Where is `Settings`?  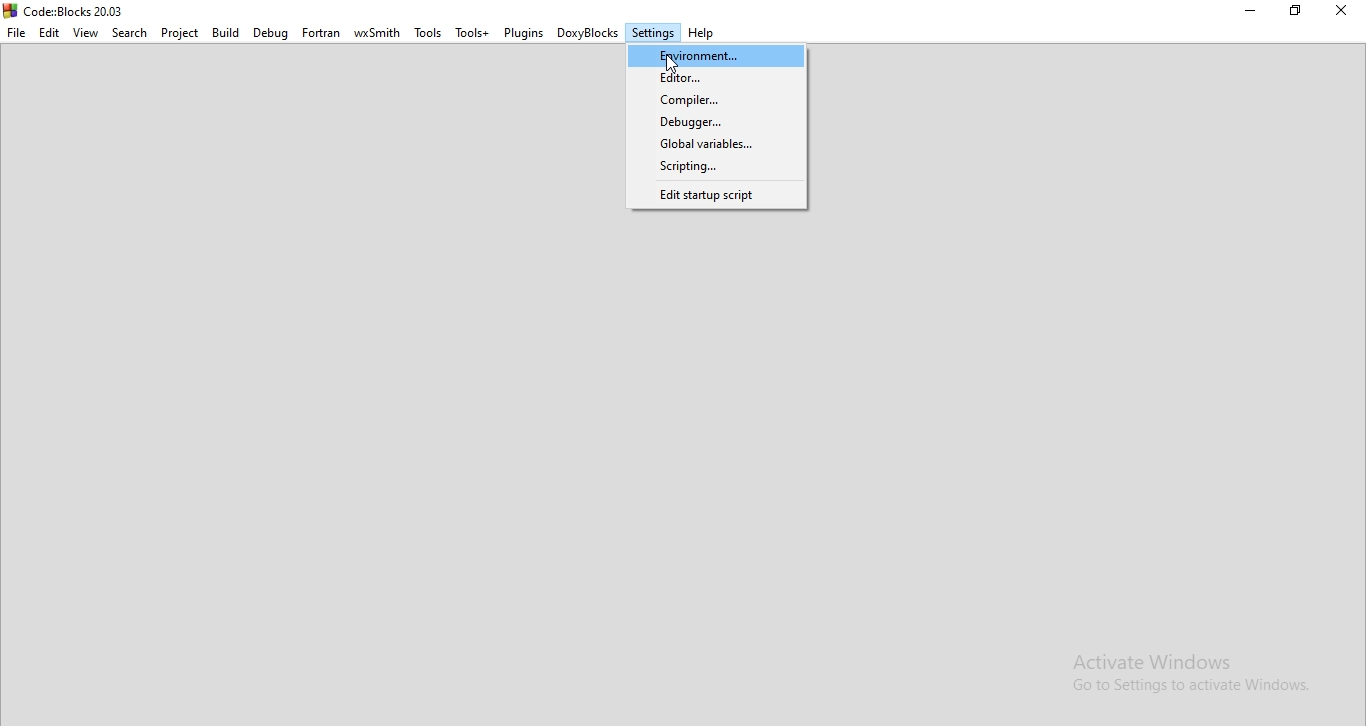 Settings is located at coordinates (653, 32).